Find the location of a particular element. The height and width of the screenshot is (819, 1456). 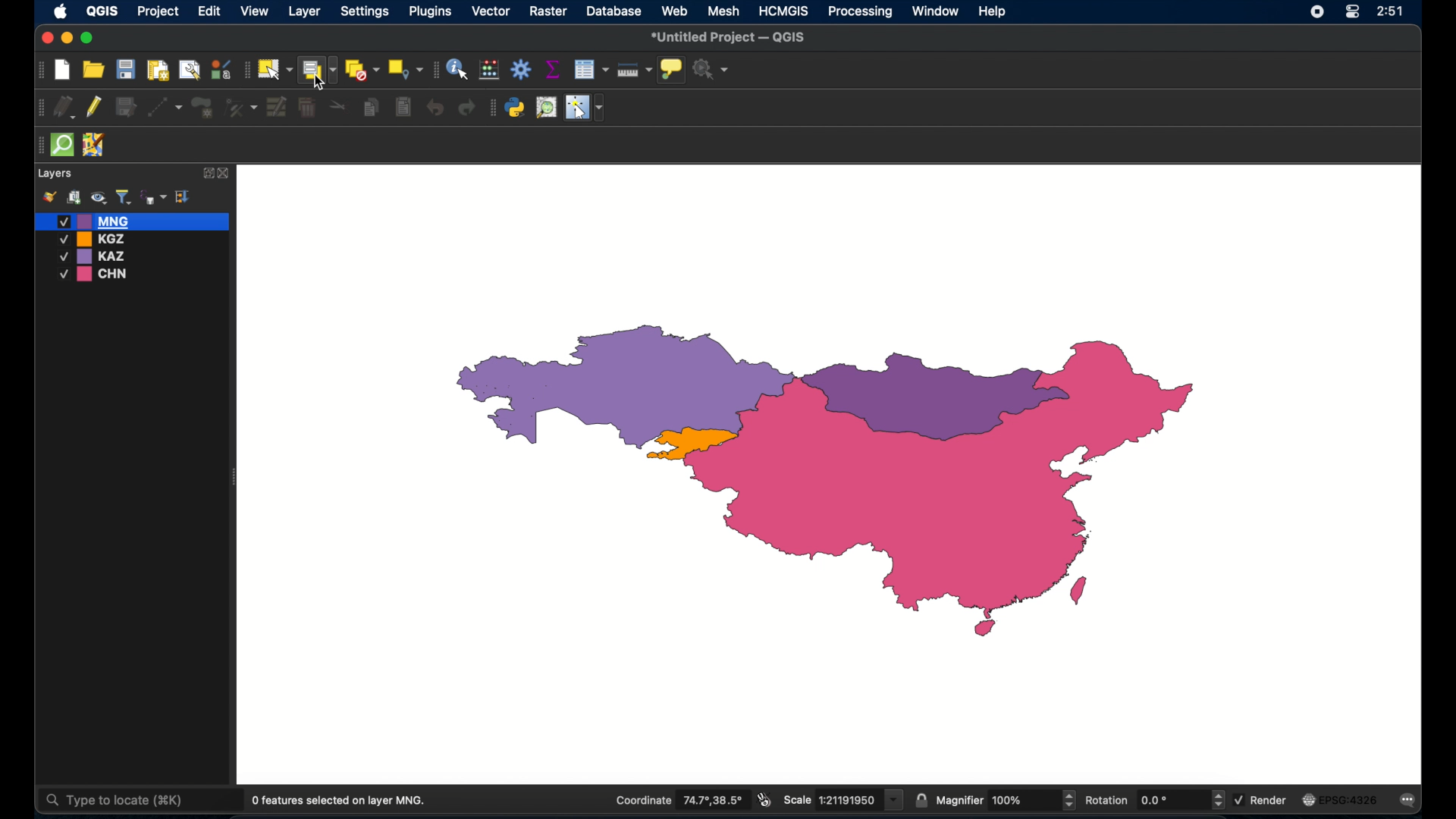

MNG is located at coordinates (133, 221).